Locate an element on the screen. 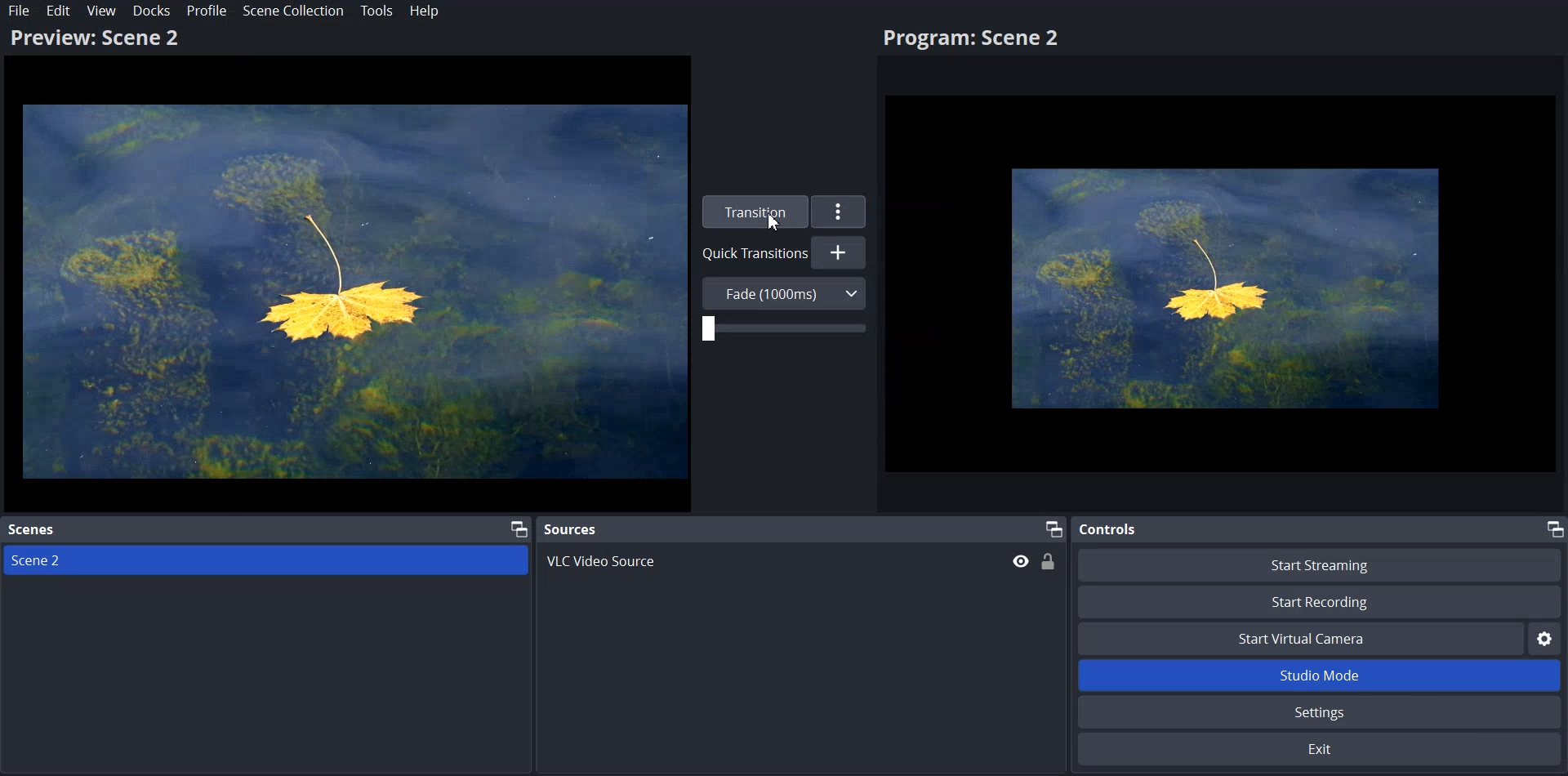 The height and width of the screenshot is (776, 1568). Exit is located at coordinates (1322, 750).